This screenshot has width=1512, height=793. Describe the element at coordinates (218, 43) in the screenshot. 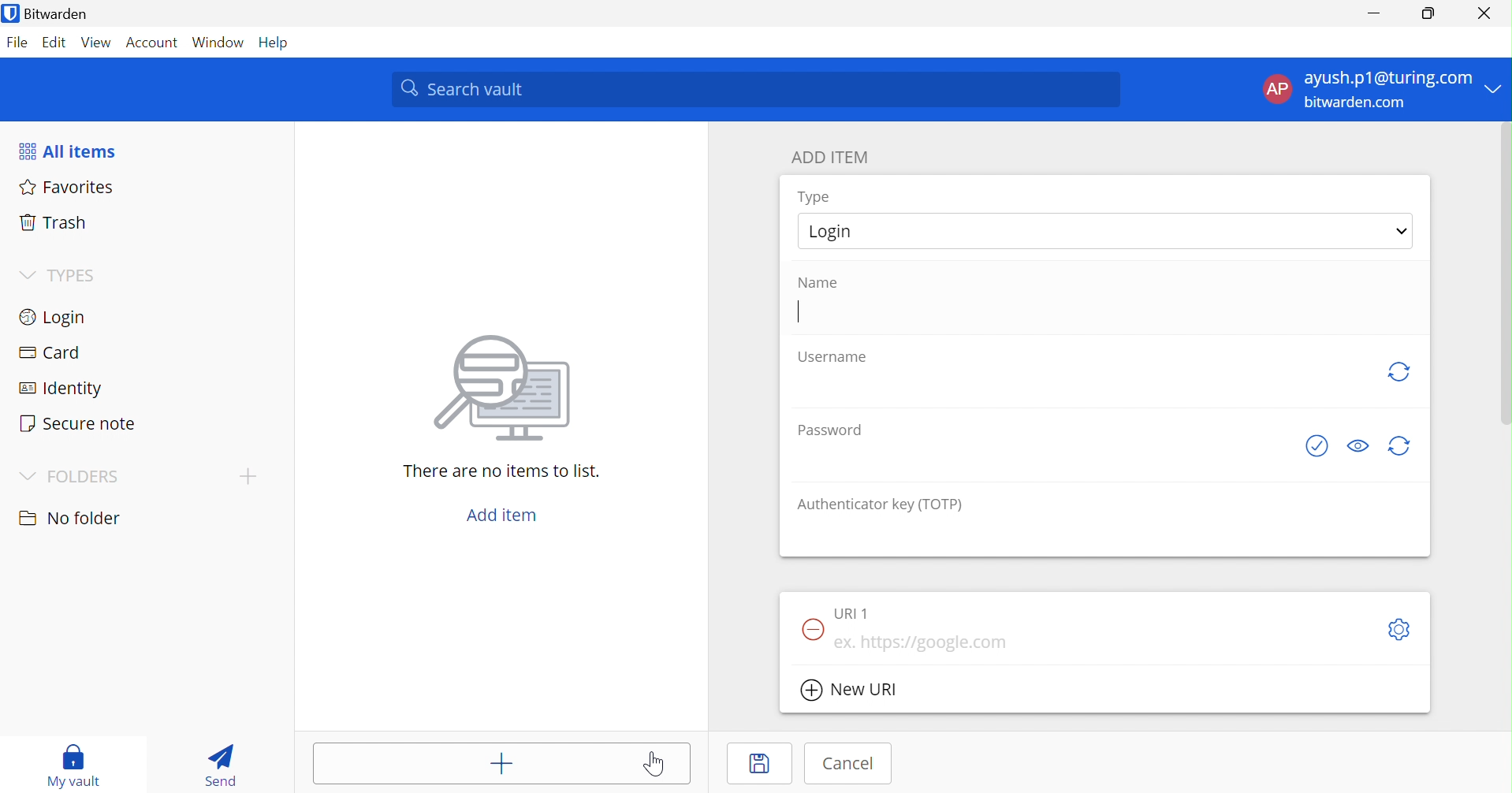

I see `Window` at that location.